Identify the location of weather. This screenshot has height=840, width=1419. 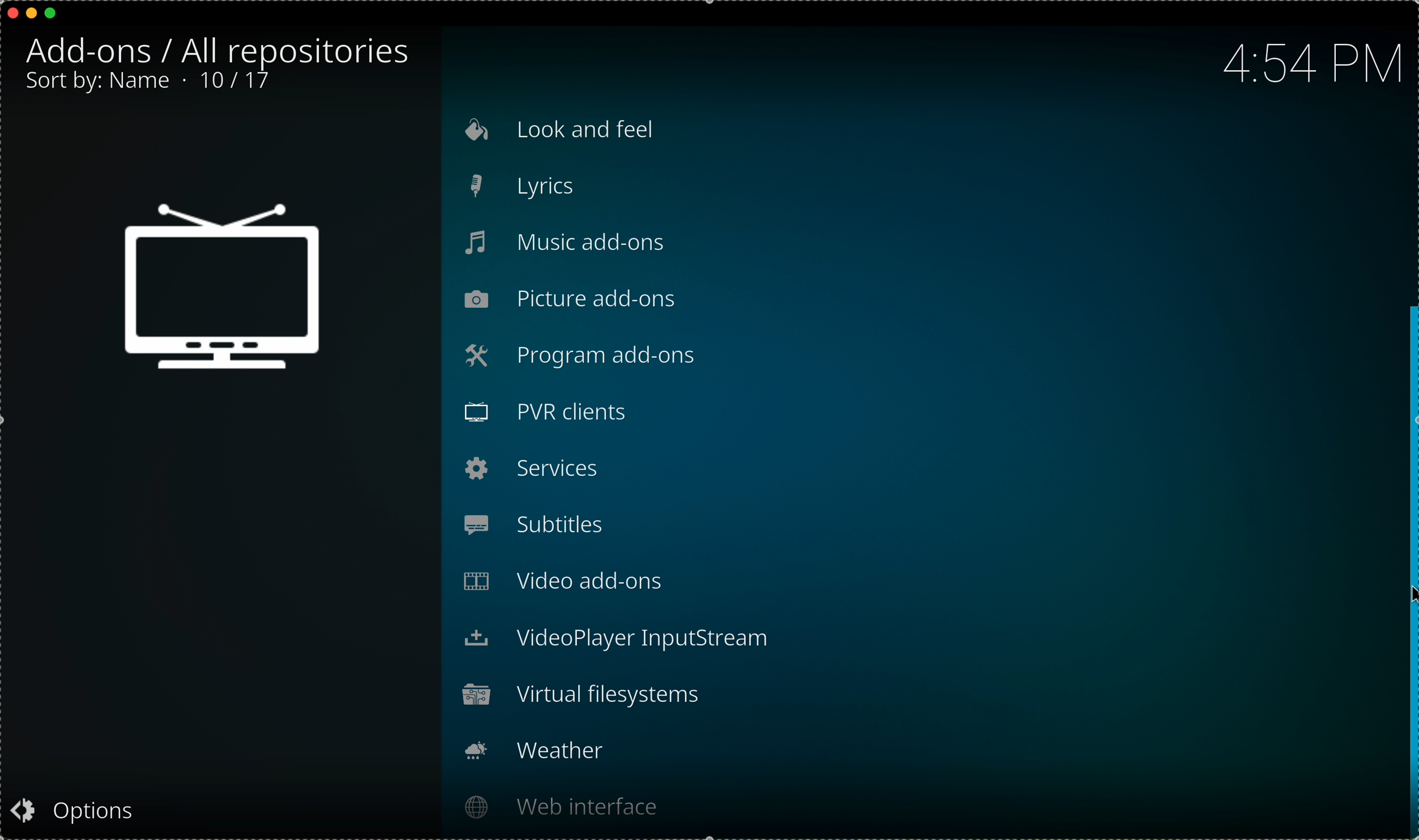
(542, 751).